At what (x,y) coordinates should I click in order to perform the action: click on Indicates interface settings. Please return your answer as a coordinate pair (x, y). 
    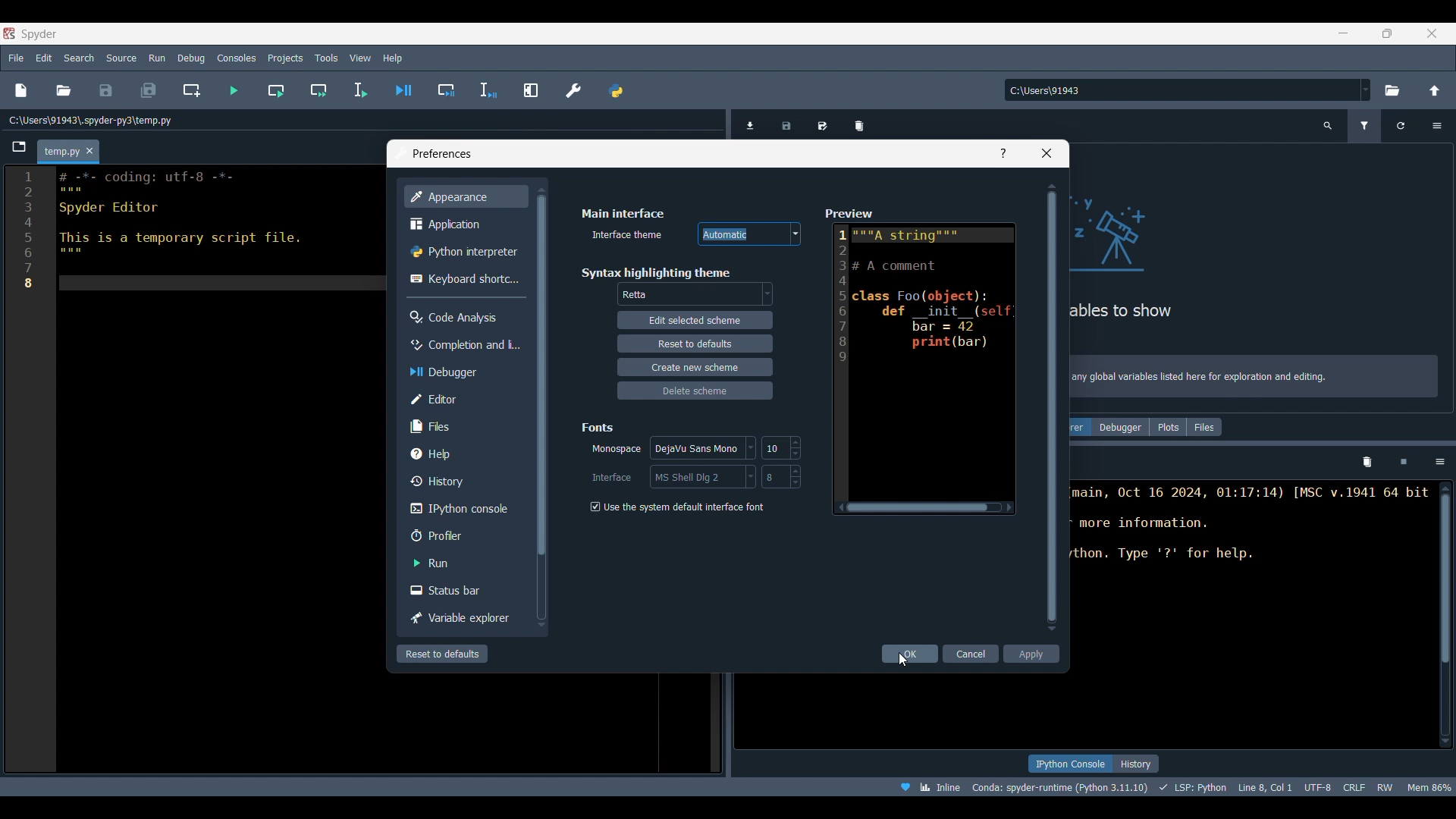
    Looking at the image, I should click on (612, 478).